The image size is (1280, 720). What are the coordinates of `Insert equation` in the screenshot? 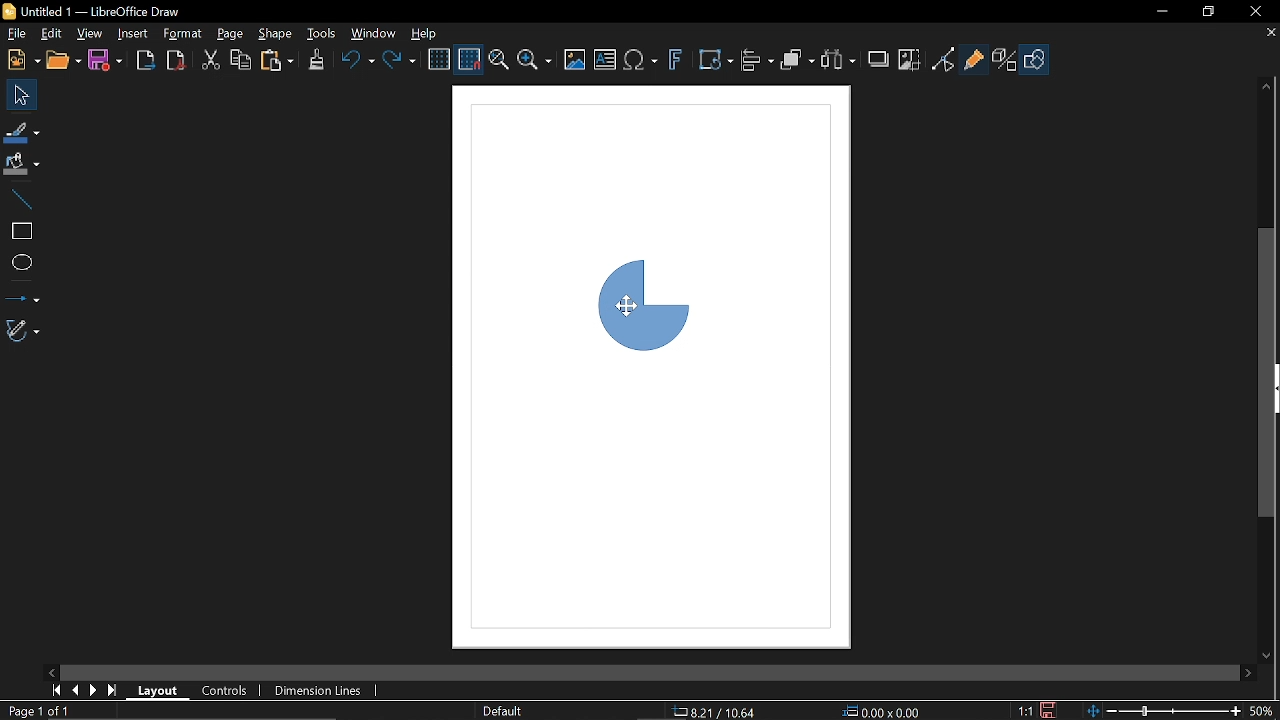 It's located at (641, 62).